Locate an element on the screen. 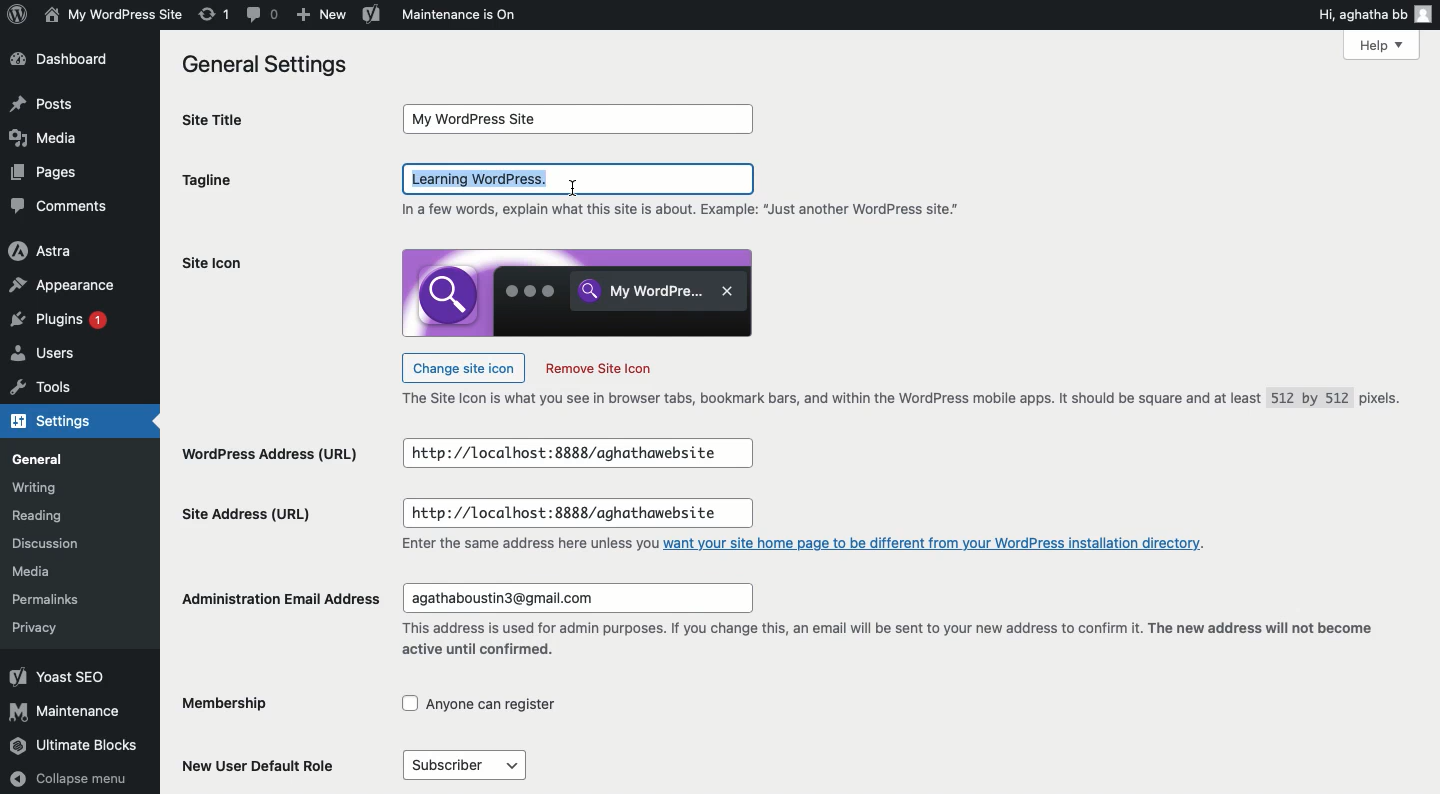  Click is located at coordinates (580, 179).